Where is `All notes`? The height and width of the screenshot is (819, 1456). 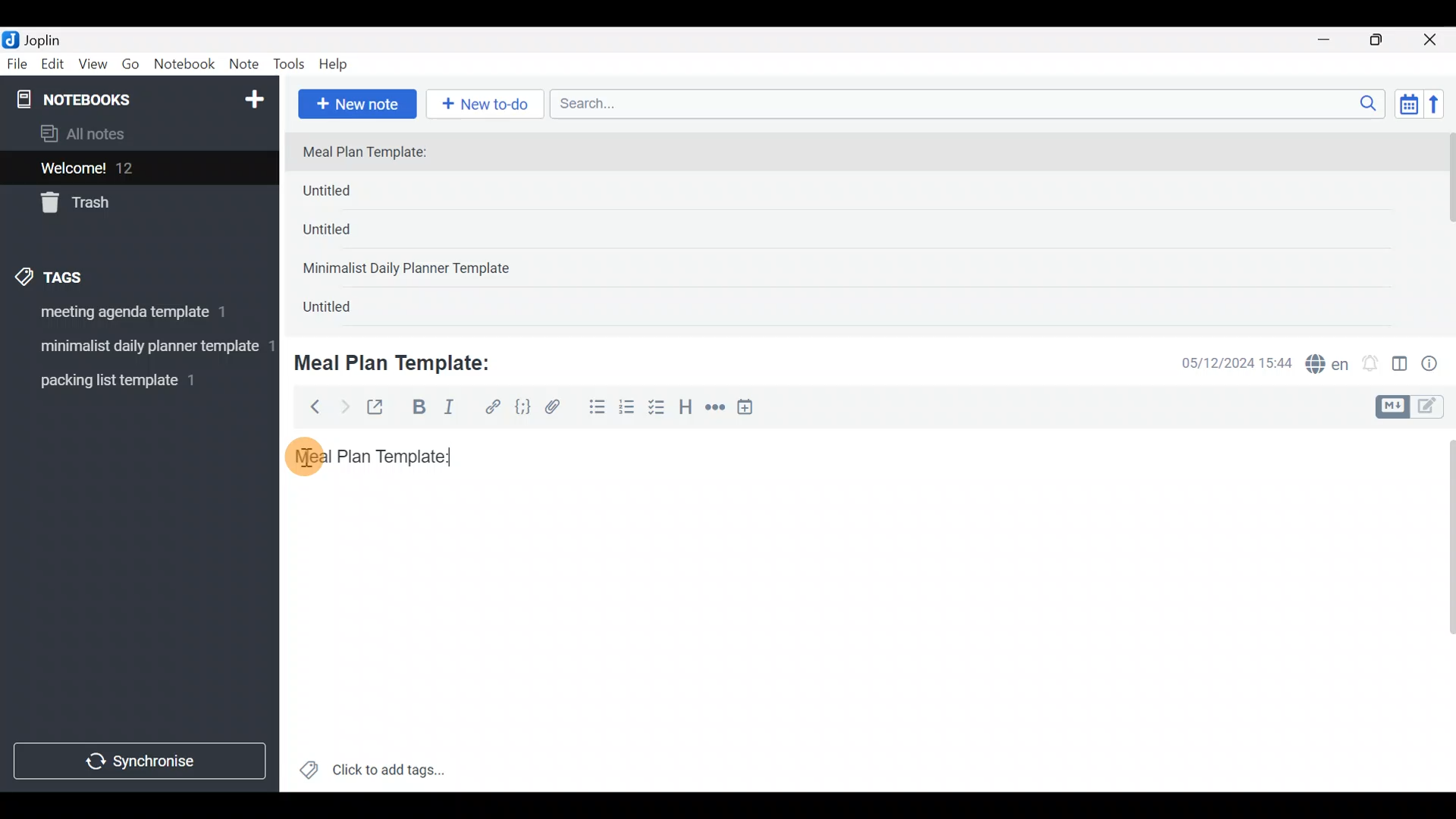 All notes is located at coordinates (136, 135).